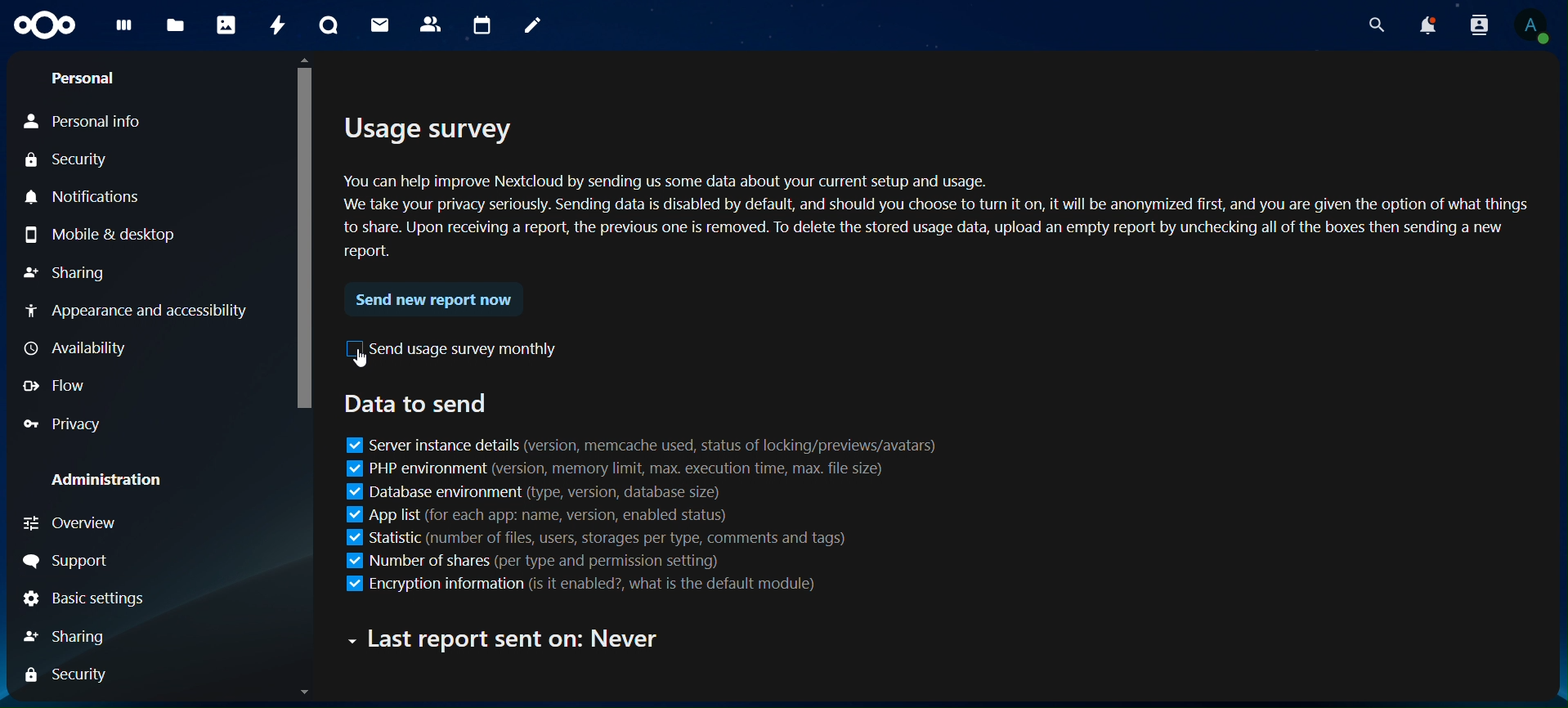 The height and width of the screenshot is (708, 1568). I want to click on usage survey, so click(943, 195).